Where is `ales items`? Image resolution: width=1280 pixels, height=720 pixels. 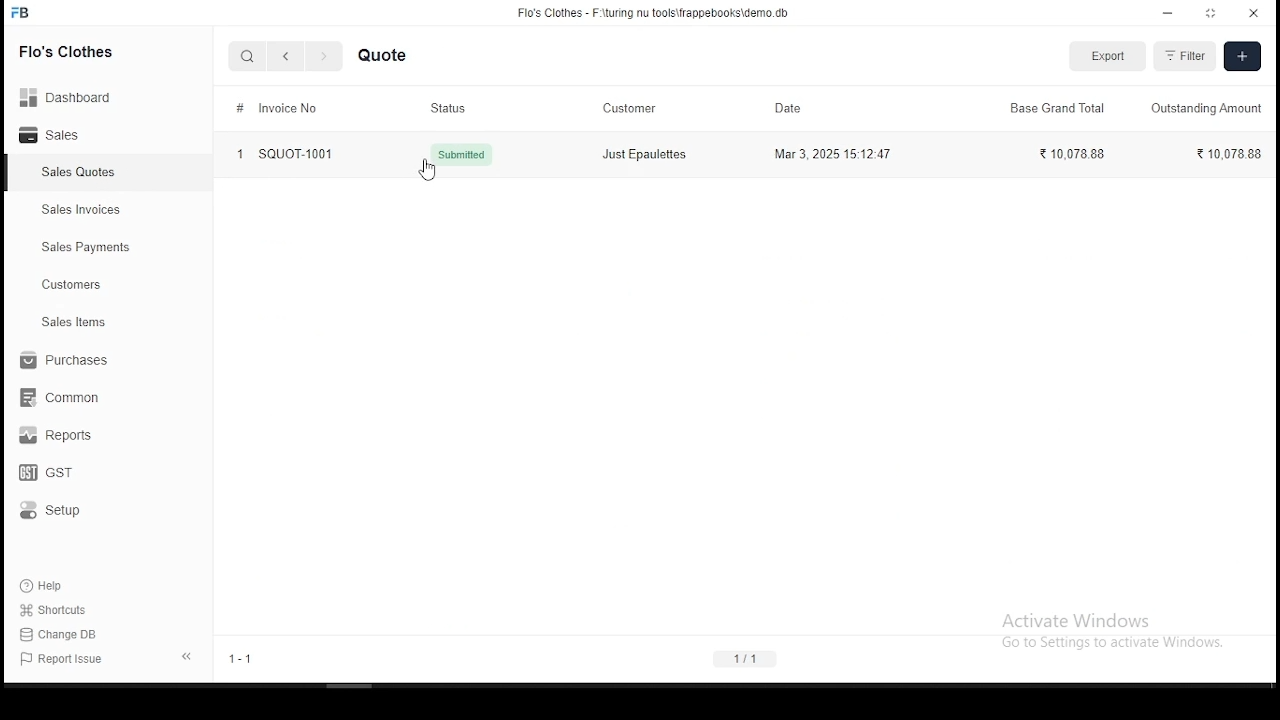
ales items is located at coordinates (78, 323).